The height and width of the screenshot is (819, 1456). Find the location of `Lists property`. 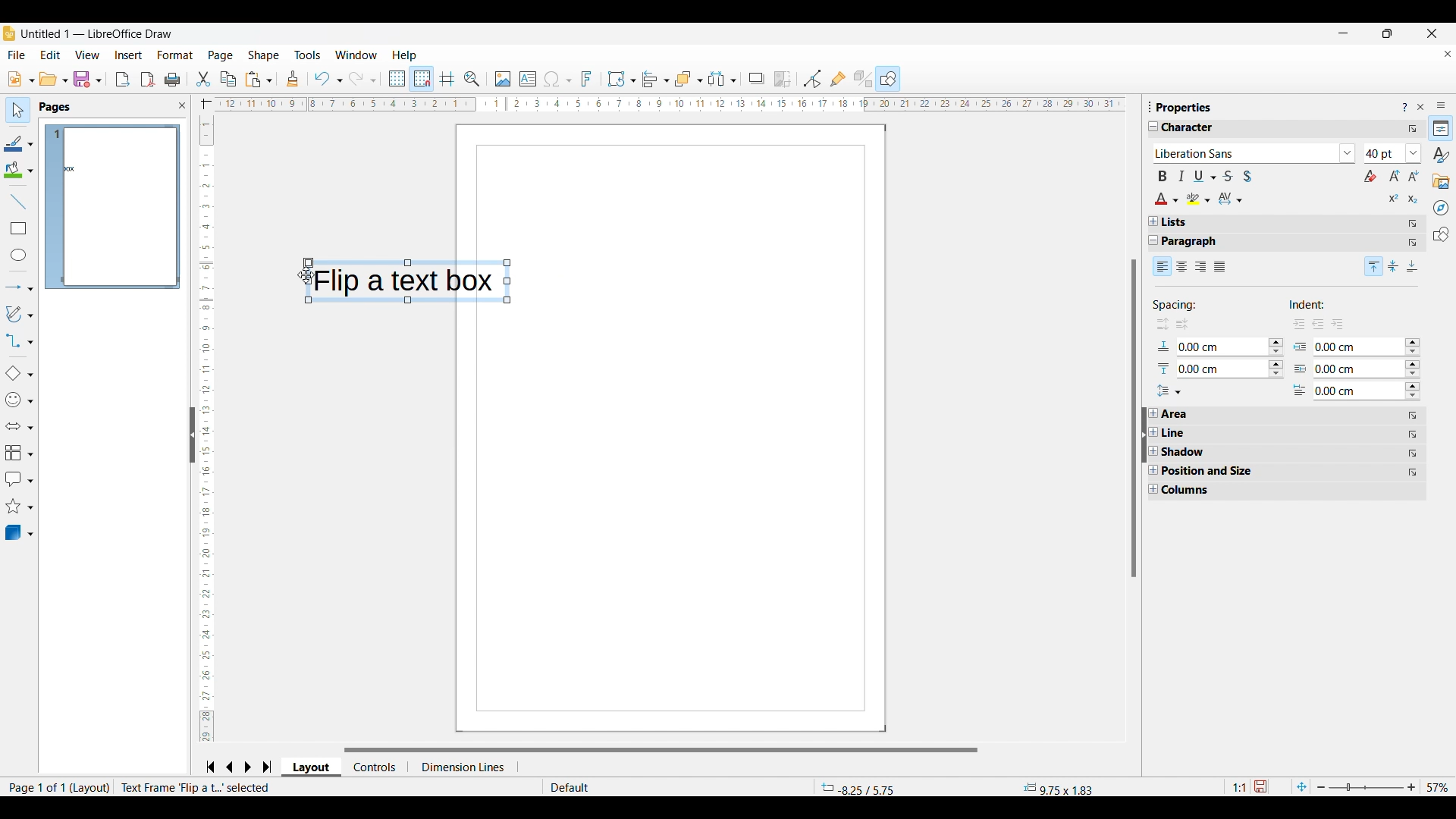

Lists property is located at coordinates (1175, 222).